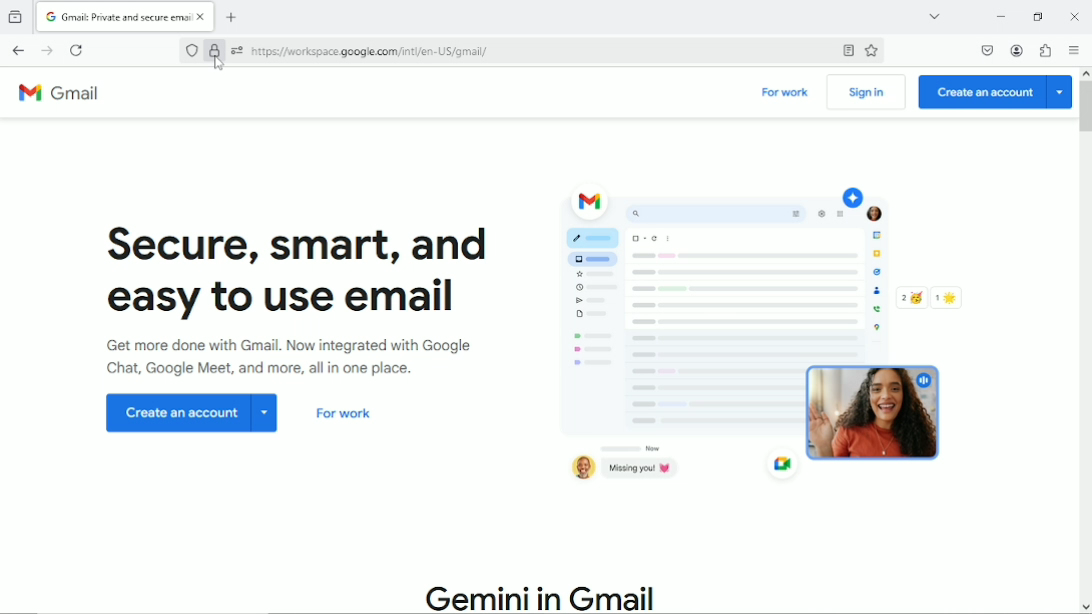  What do you see at coordinates (127, 17) in the screenshot?
I see `Current tab` at bounding box center [127, 17].